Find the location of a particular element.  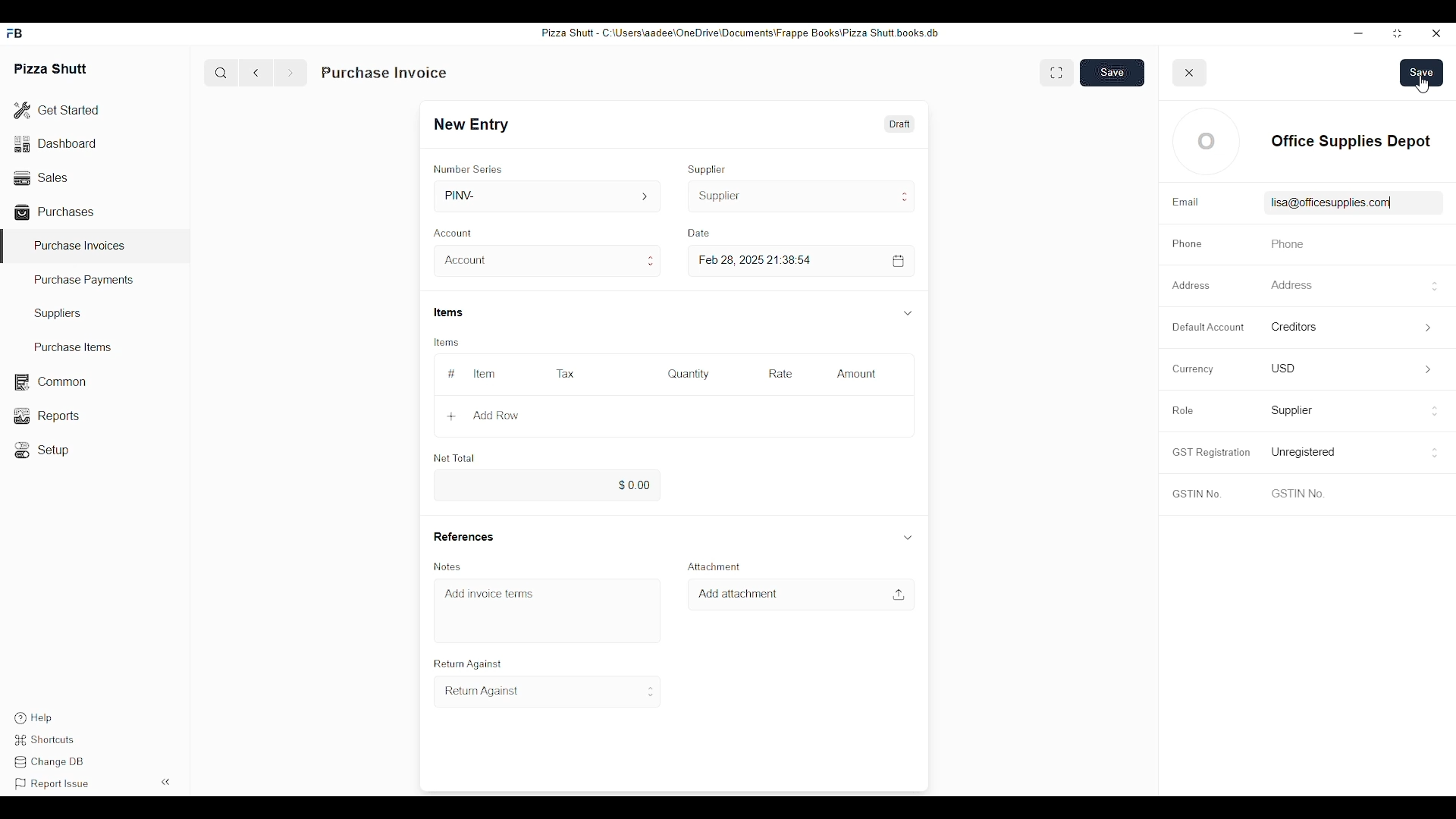

Reports is located at coordinates (45, 416).